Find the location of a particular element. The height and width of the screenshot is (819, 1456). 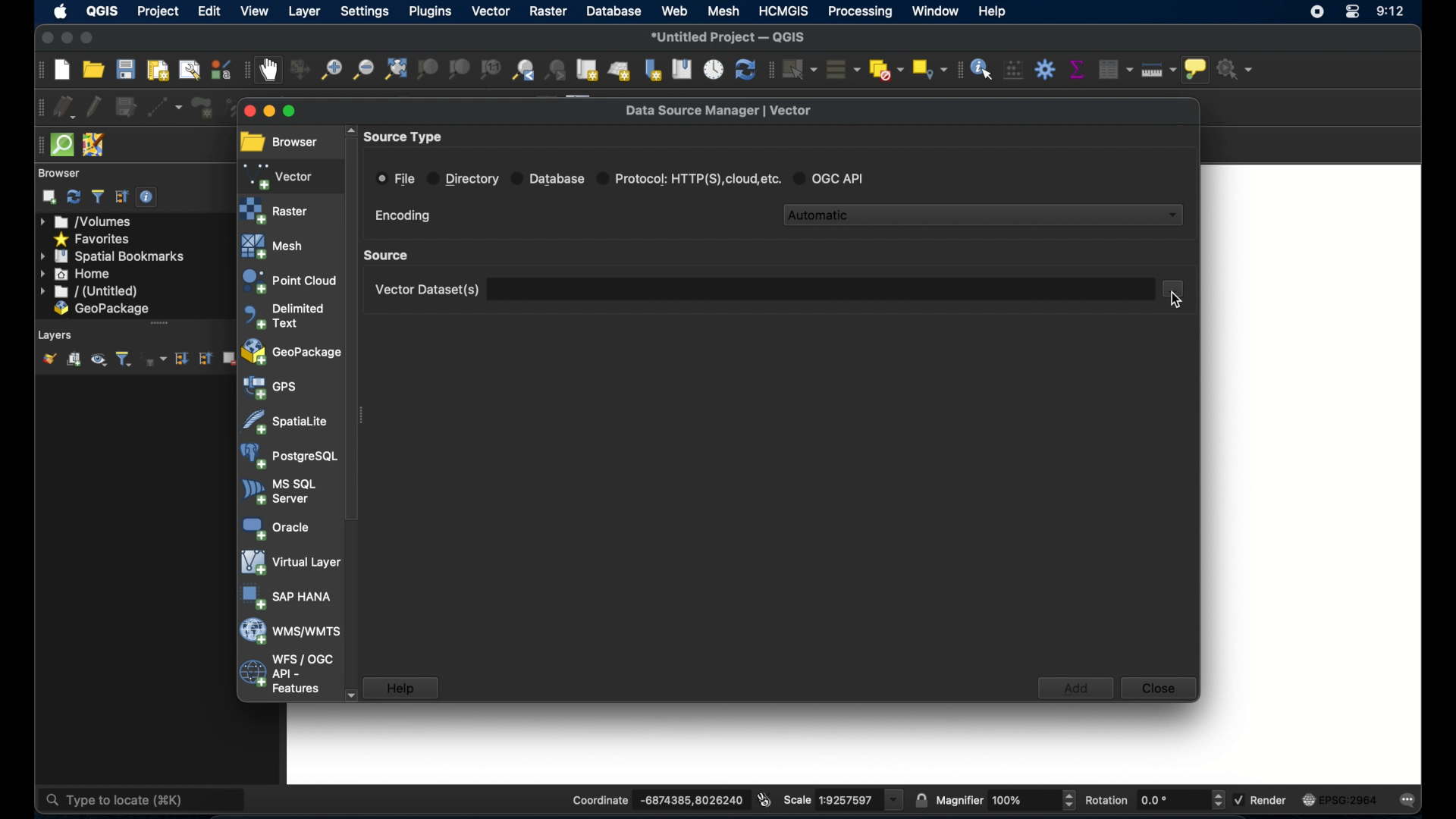

quicksom is located at coordinates (61, 146).